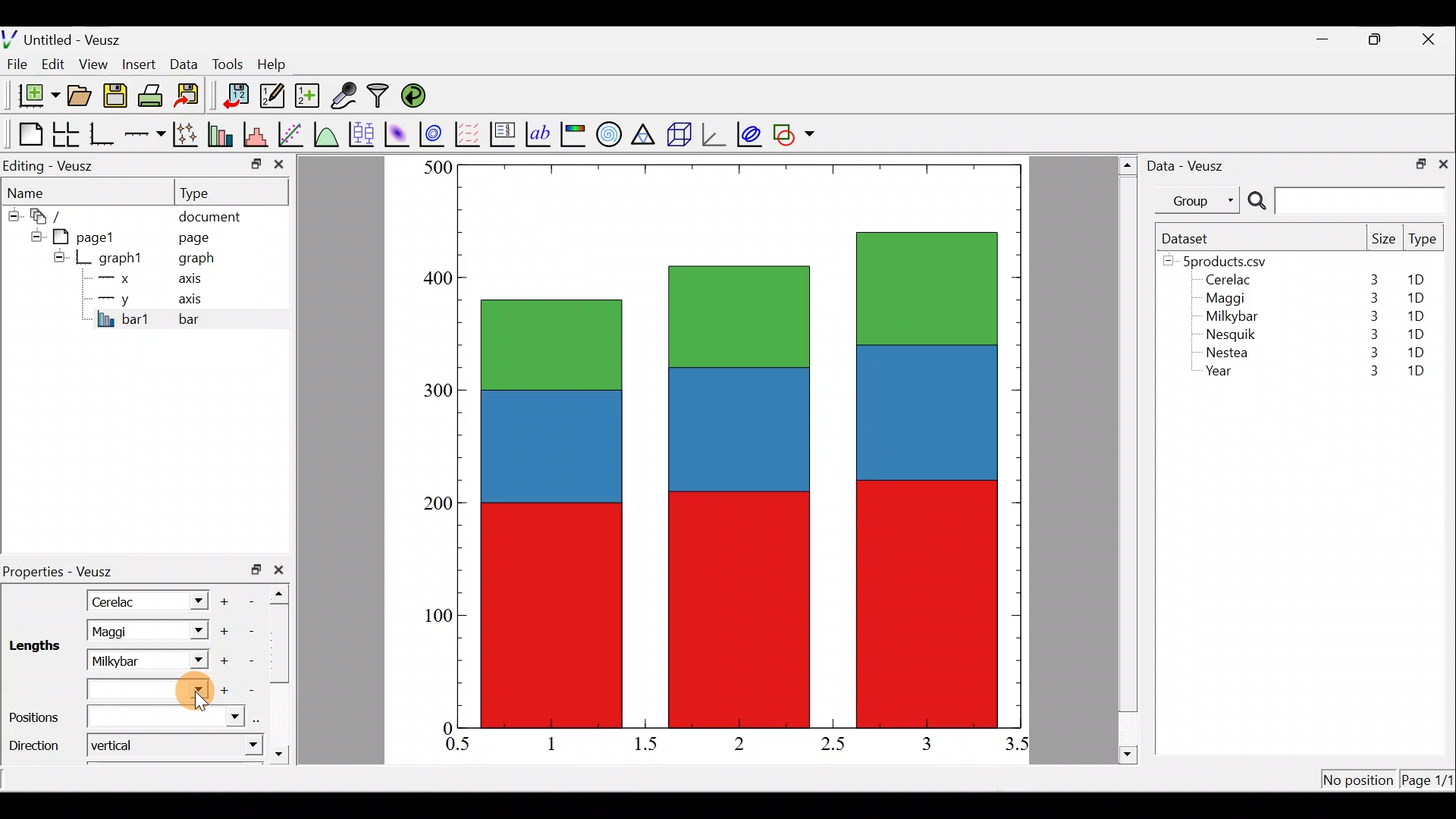  What do you see at coordinates (197, 300) in the screenshot?
I see `axis` at bounding box center [197, 300].